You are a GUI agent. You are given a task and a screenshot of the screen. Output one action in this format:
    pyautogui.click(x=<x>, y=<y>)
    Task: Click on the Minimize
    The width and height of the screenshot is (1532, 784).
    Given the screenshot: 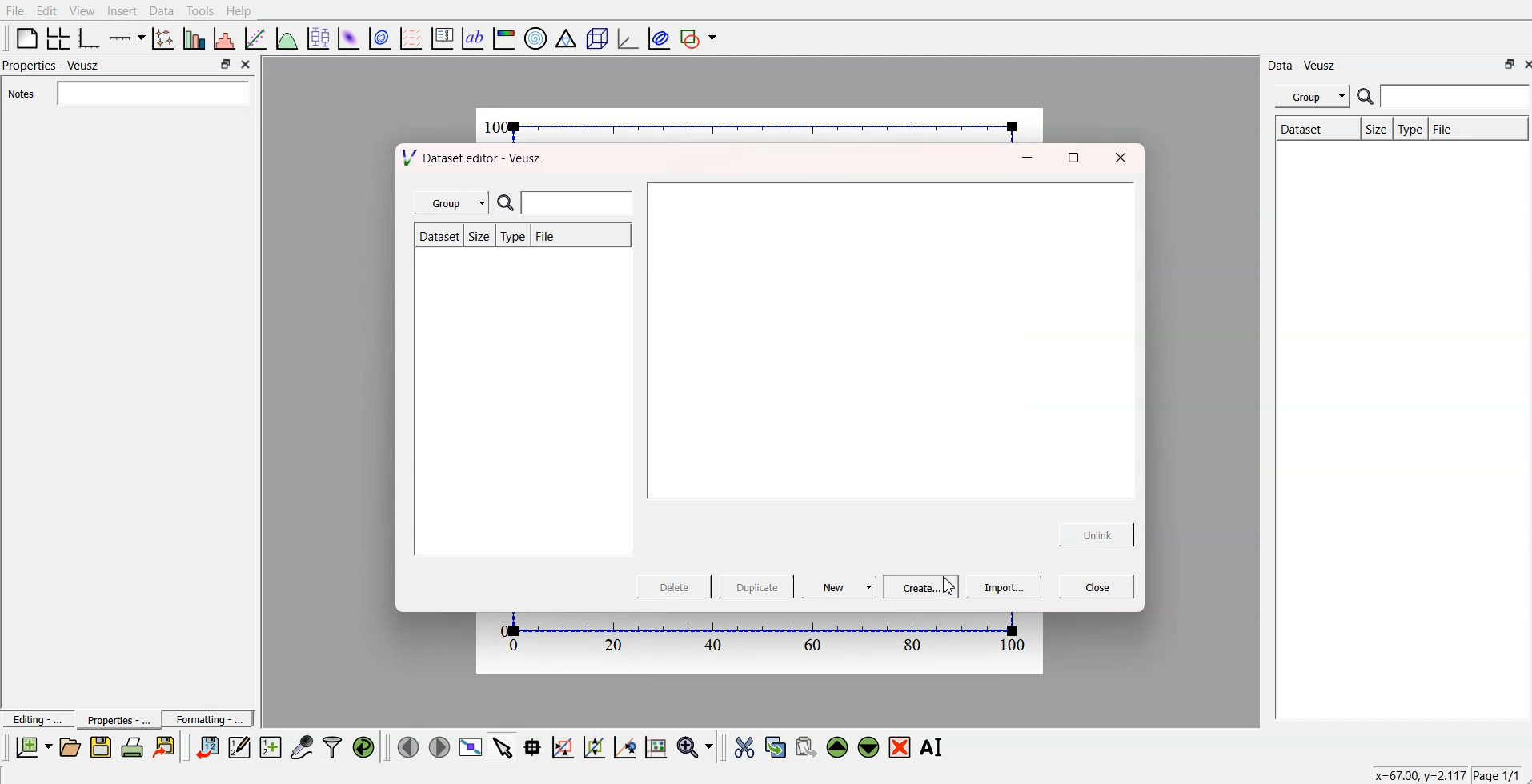 What is the action you would take?
    pyautogui.click(x=1022, y=158)
    